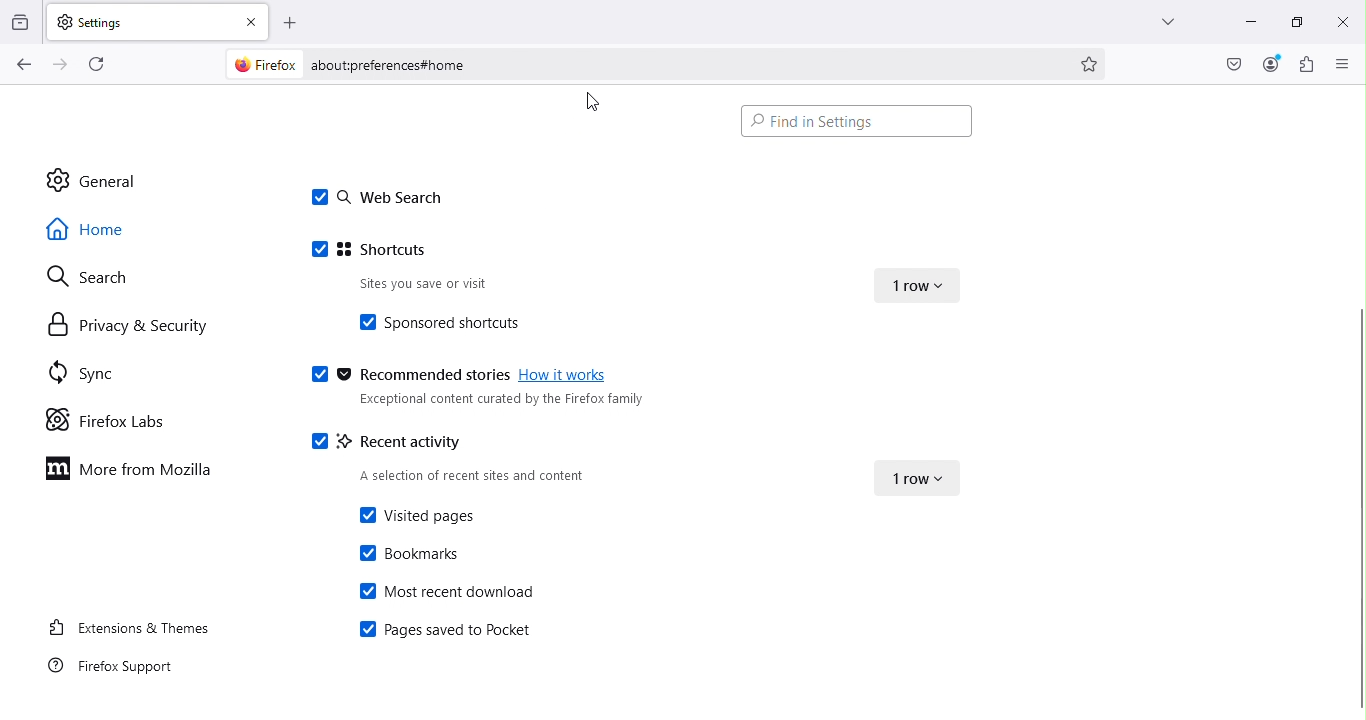  Describe the element at coordinates (135, 474) in the screenshot. I see `More from mozilla` at that location.